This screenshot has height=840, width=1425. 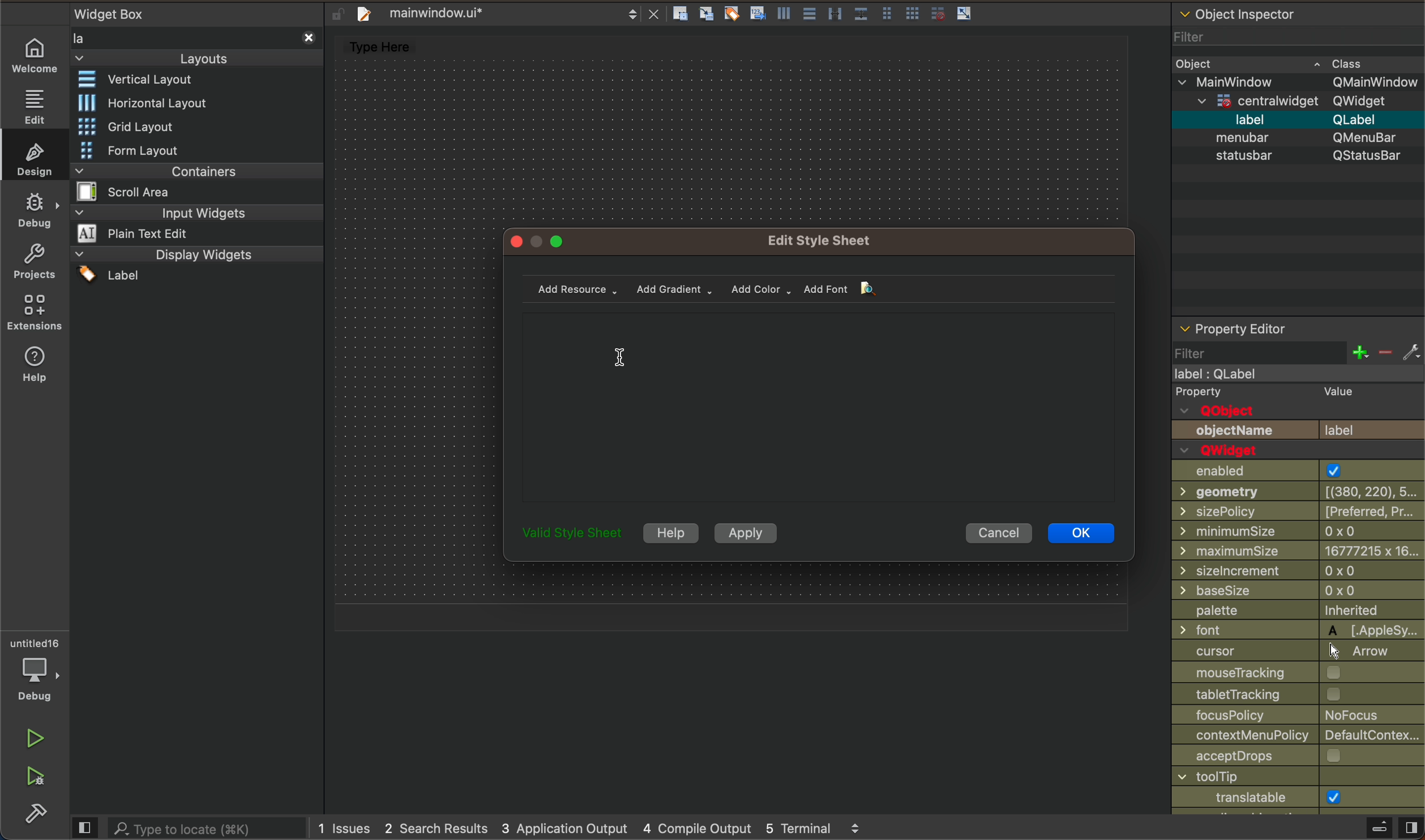 What do you see at coordinates (147, 80) in the screenshot?
I see `vertical layout` at bounding box center [147, 80].